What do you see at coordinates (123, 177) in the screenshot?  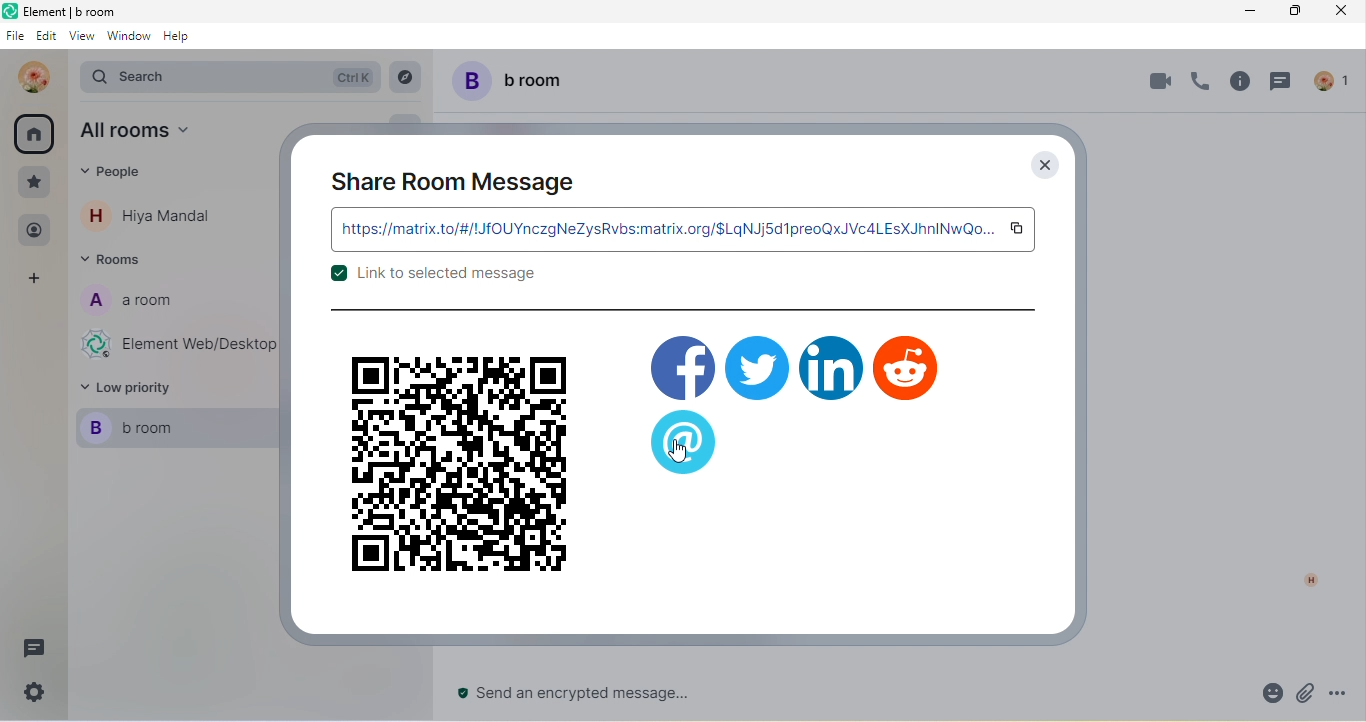 I see `people` at bounding box center [123, 177].